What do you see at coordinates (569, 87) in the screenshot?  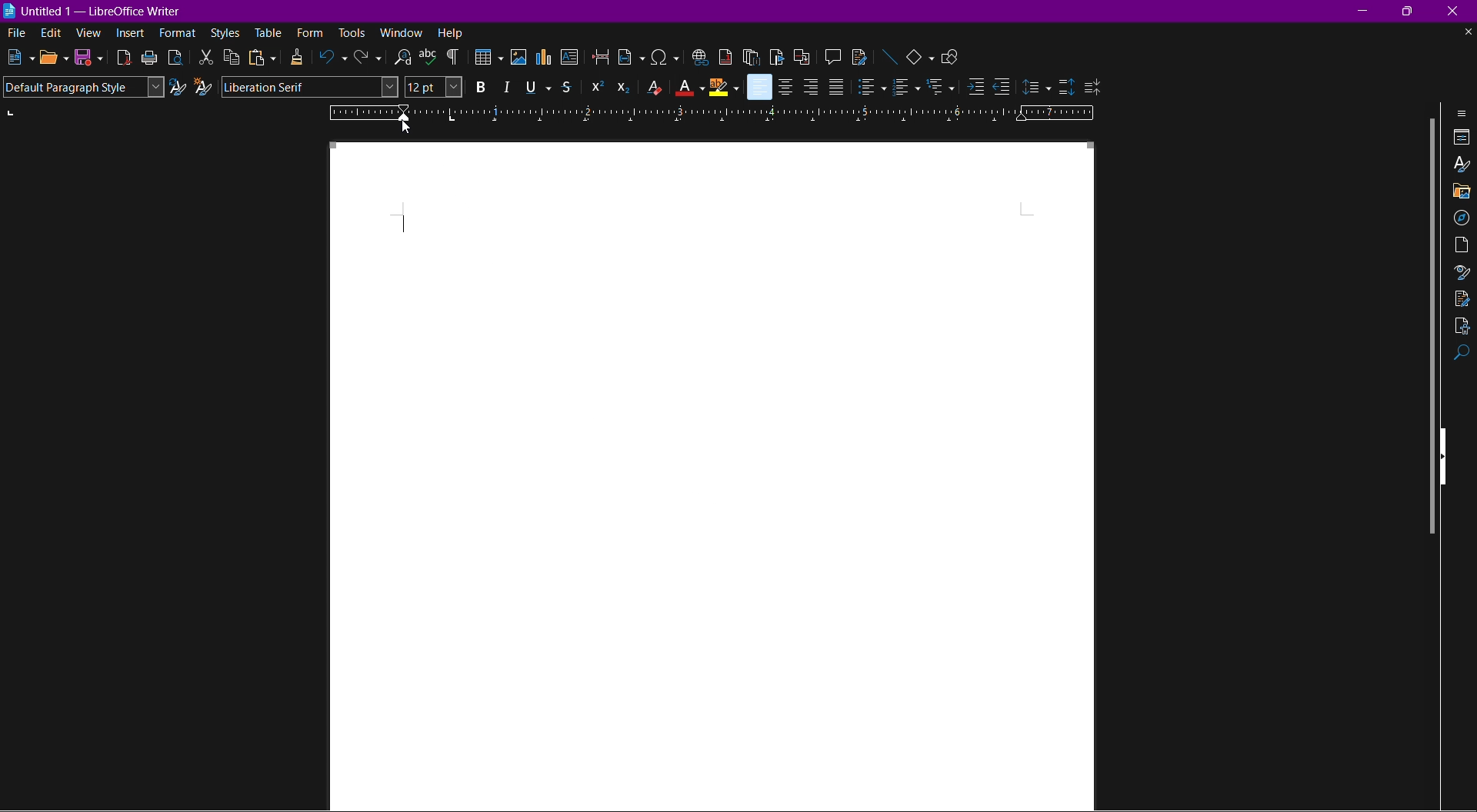 I see `Strikethrough` at bounding box center [569, 87].